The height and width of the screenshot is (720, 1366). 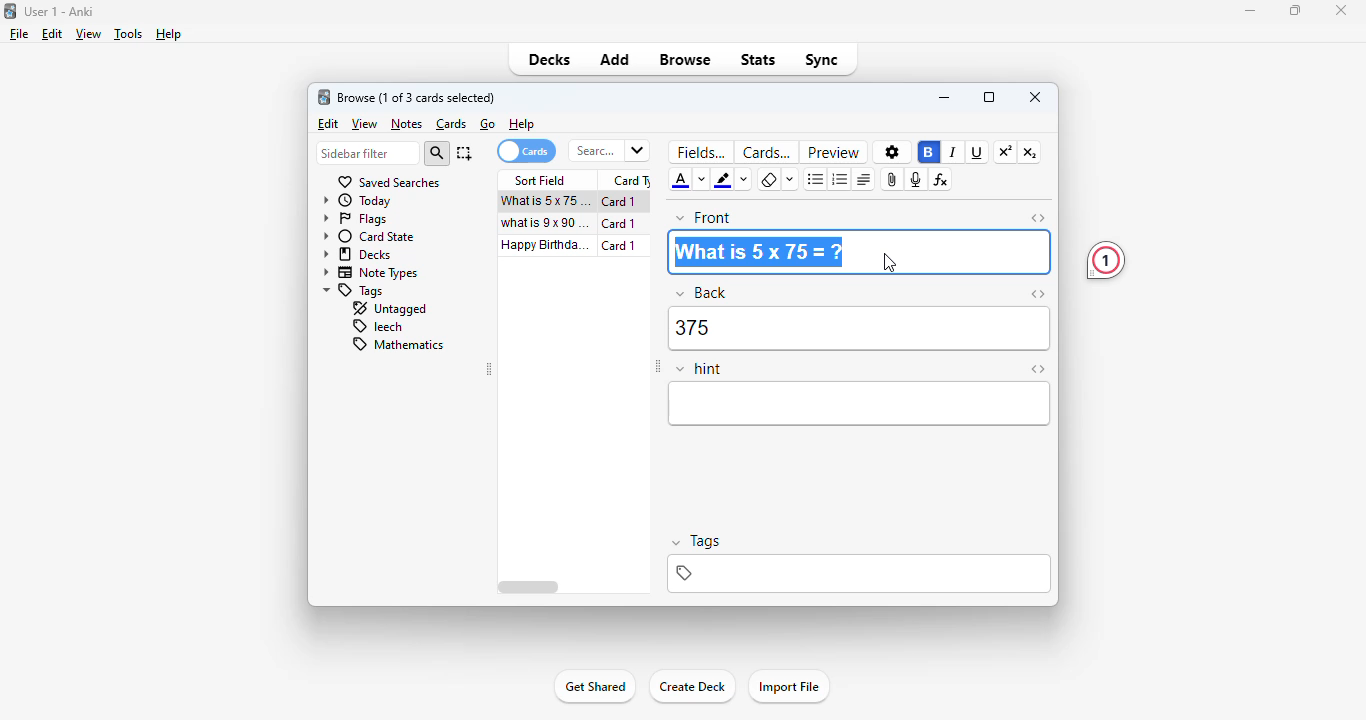 I want to click on sidebar filter, so click(x=366, y=153).